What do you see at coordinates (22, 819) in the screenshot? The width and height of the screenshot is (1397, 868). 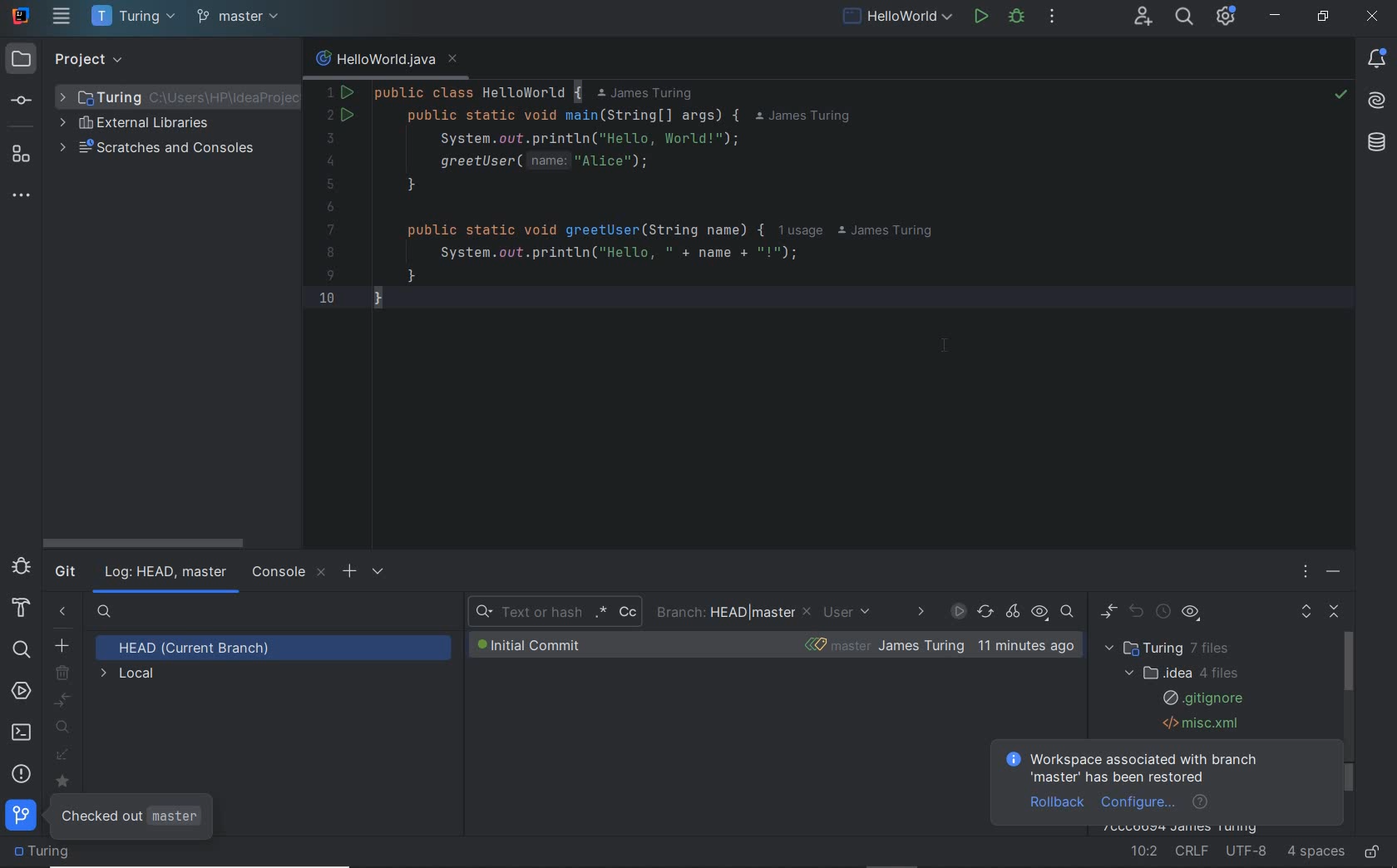 I see `git` at bounding box center [22, 819].